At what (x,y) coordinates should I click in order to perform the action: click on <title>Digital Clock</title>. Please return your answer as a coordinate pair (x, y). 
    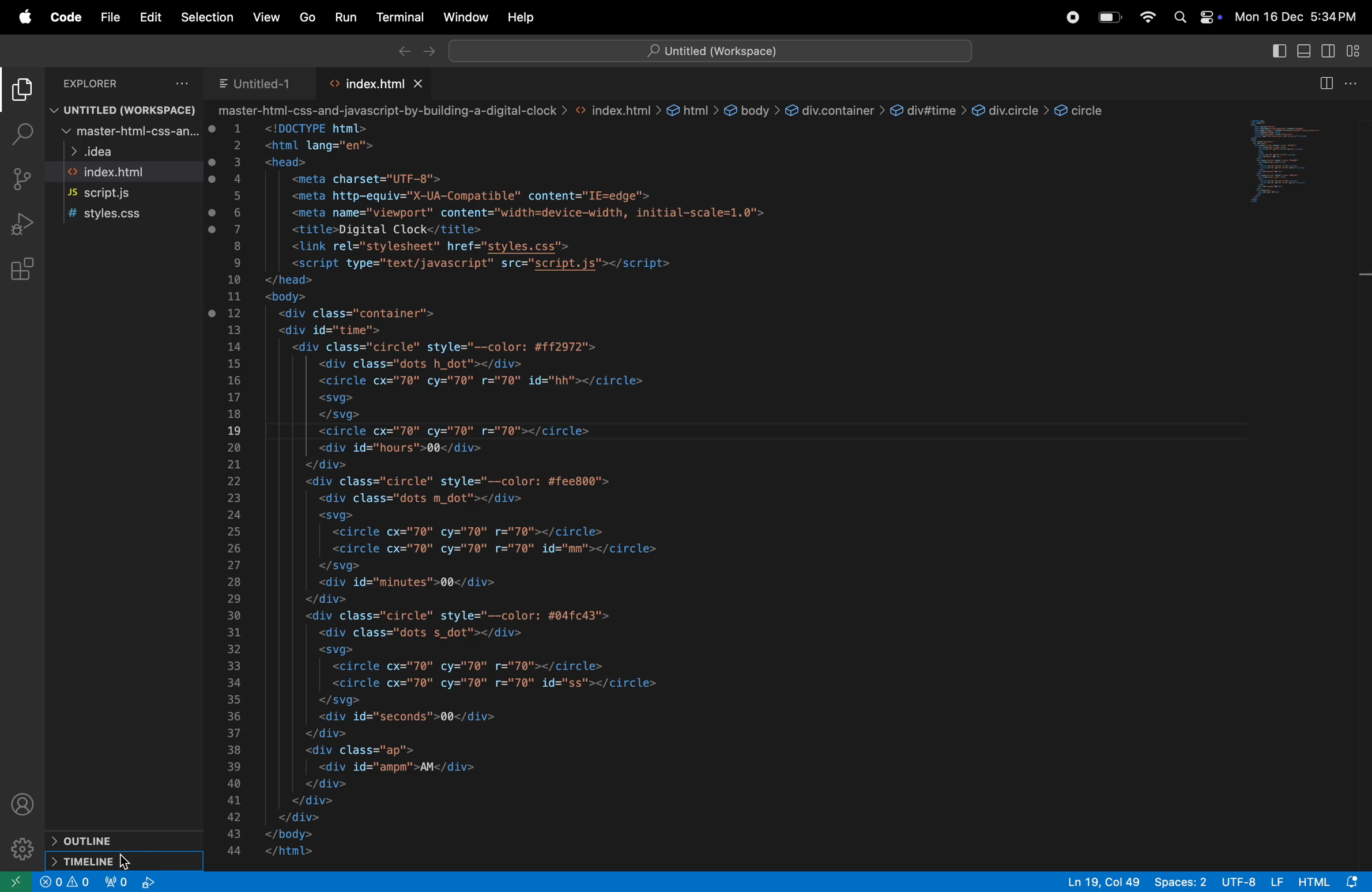
    Looking at the image, I should click on (395, 230).